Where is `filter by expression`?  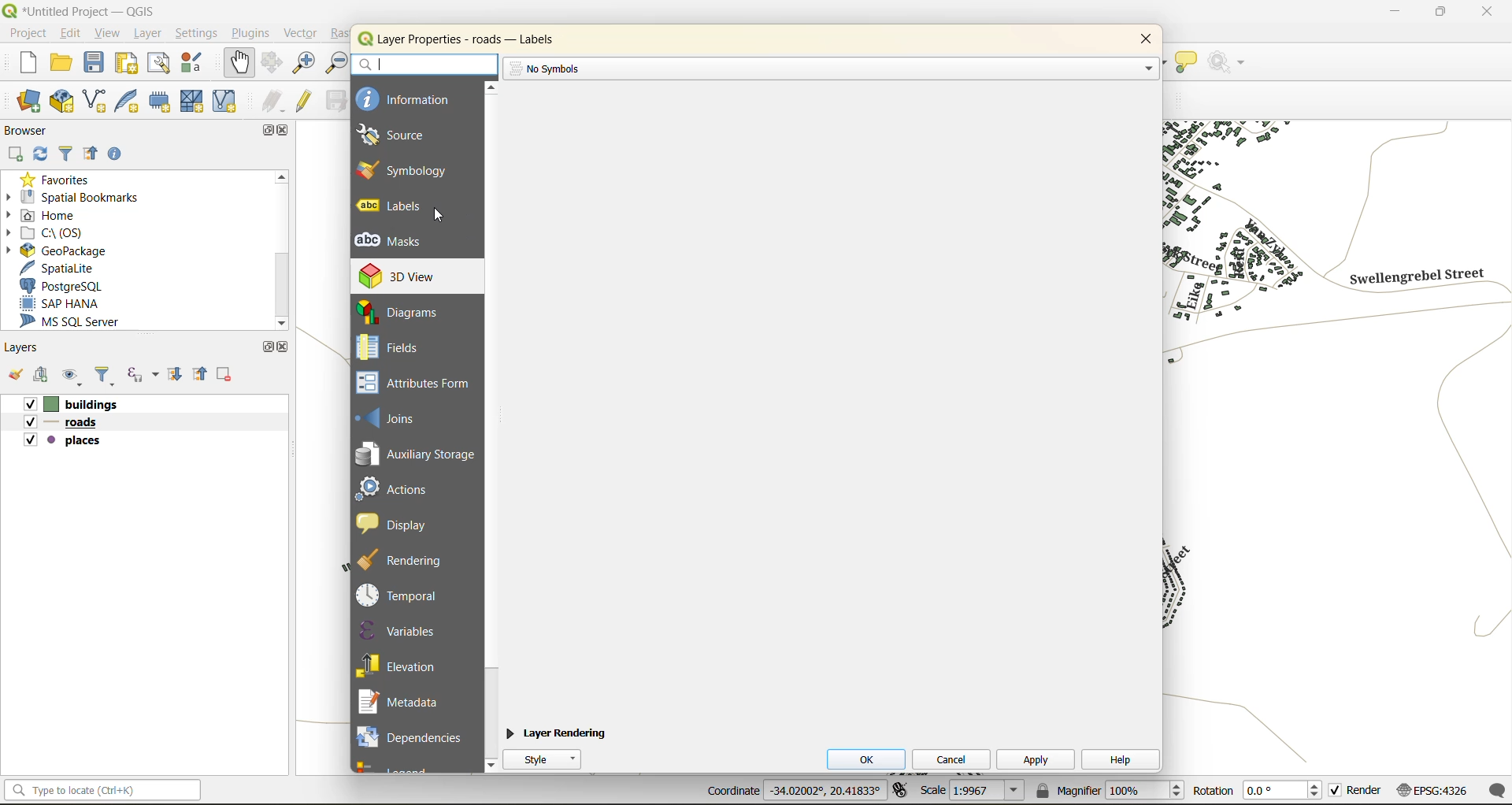
filter by expression is located at coordinates (143, 375).